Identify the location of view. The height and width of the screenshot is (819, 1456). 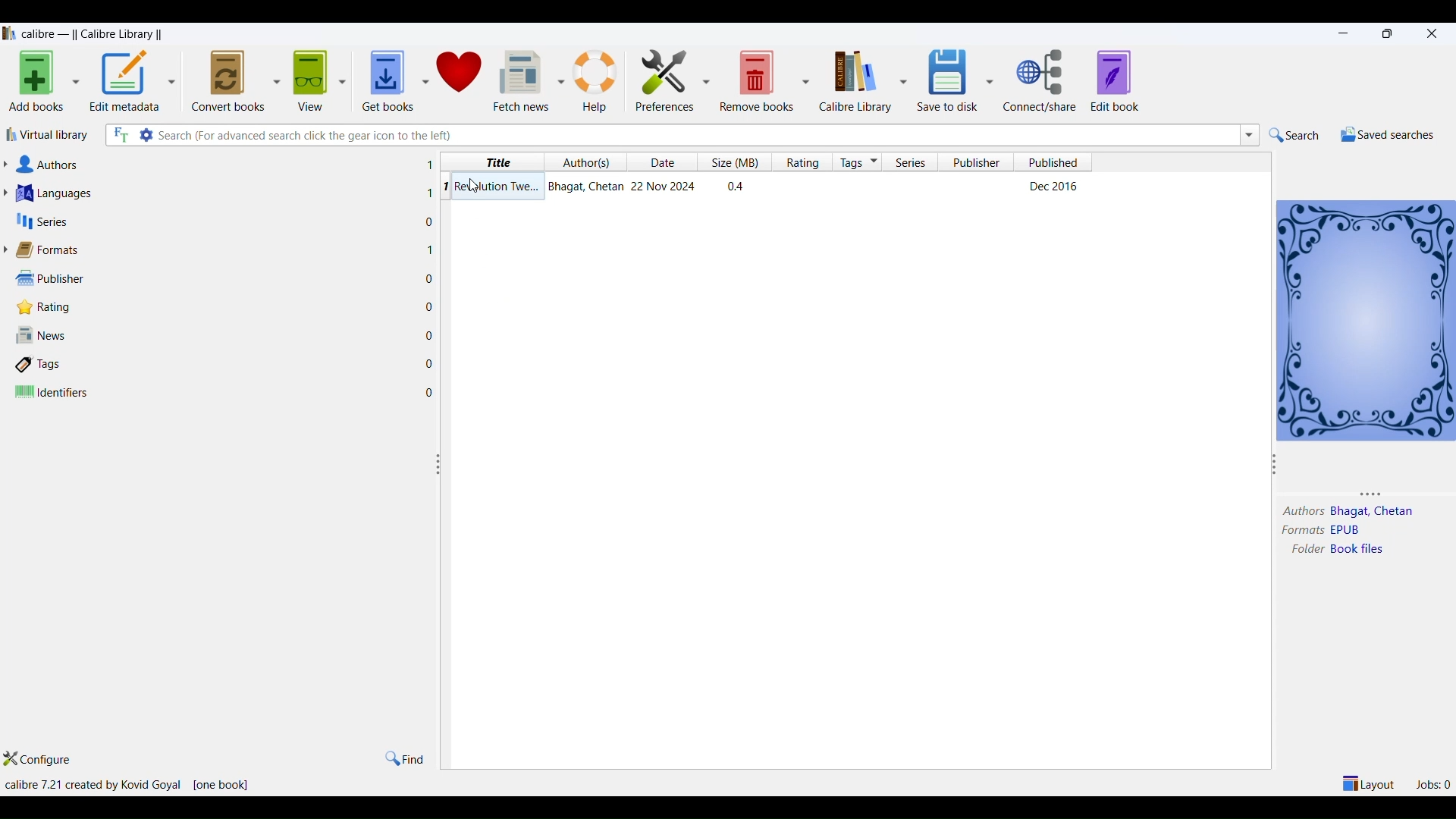
(310, 76).